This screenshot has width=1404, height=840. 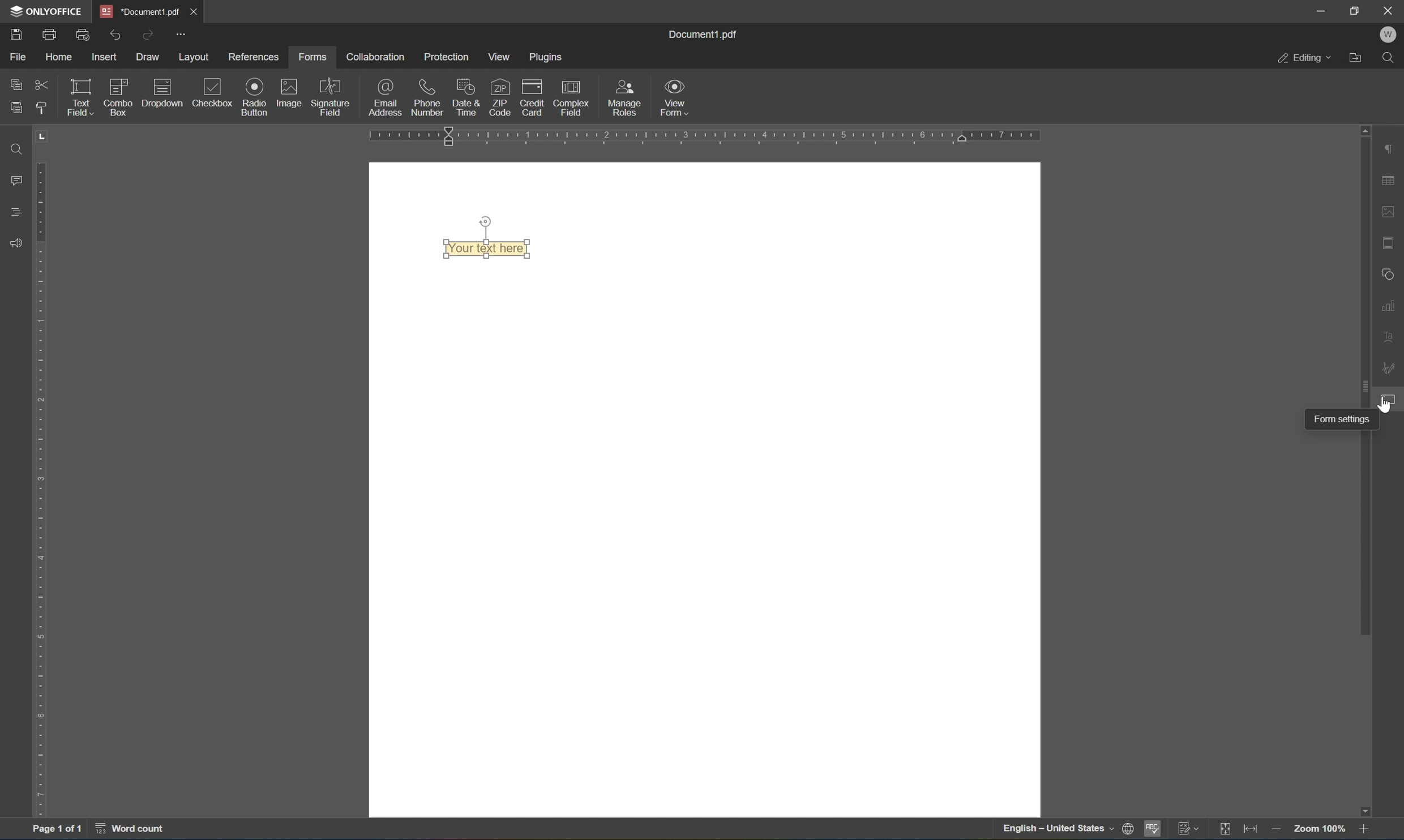 What do you see at coordinates (331, 97) in the screenshot?
I see `signature field` at bounding box center [331, 97].